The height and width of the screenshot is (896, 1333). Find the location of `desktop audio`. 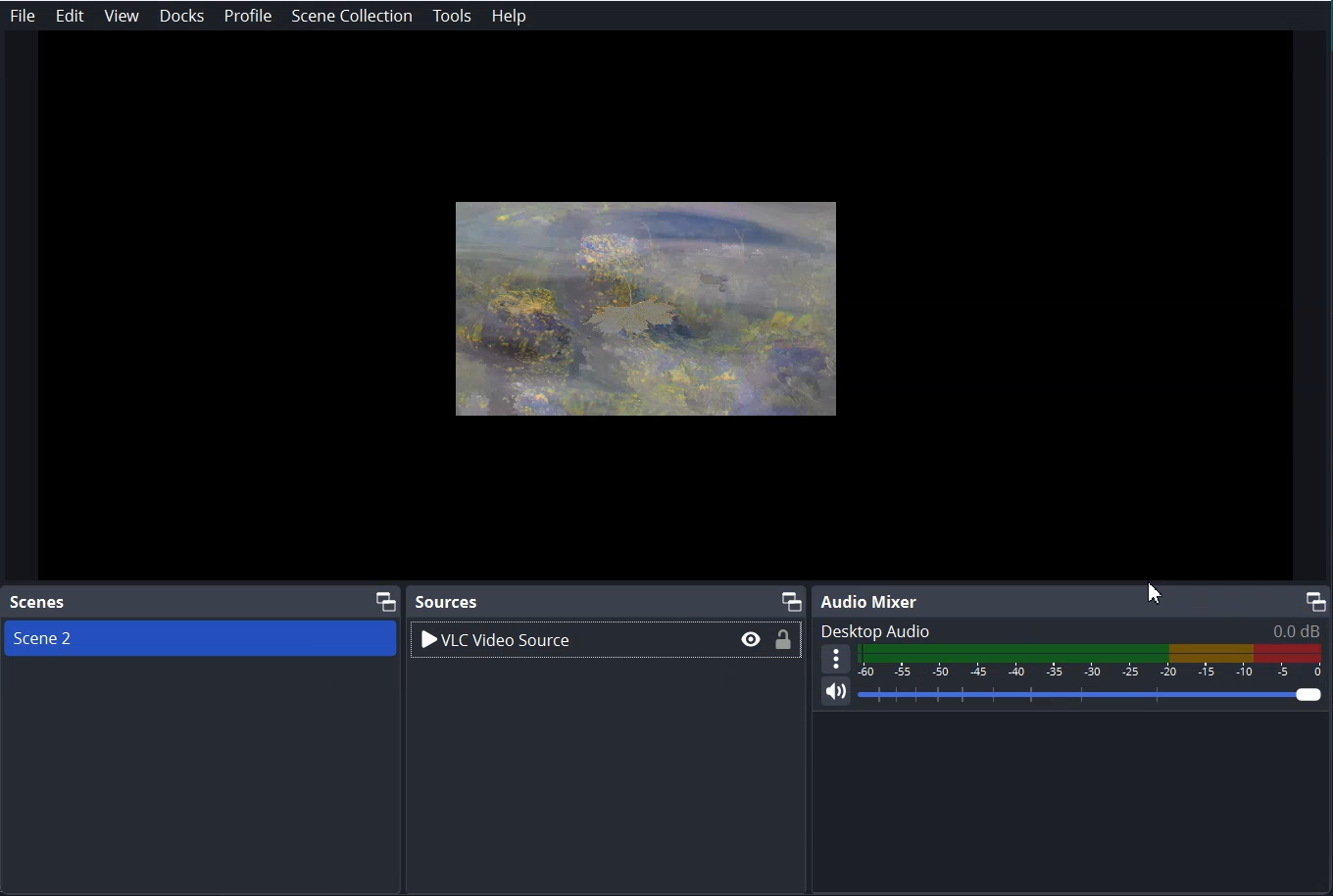

desktop audio is located at coordinates (1072, 627).